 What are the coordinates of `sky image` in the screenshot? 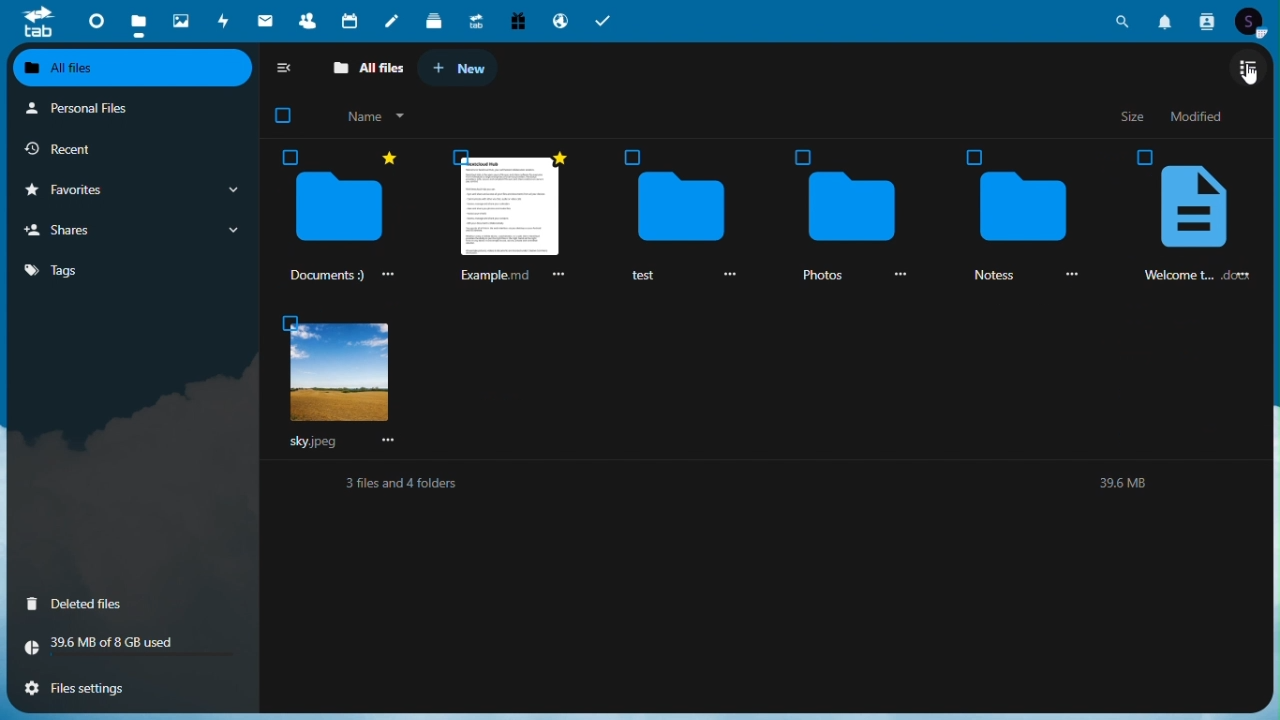 It's located at (338, 376).